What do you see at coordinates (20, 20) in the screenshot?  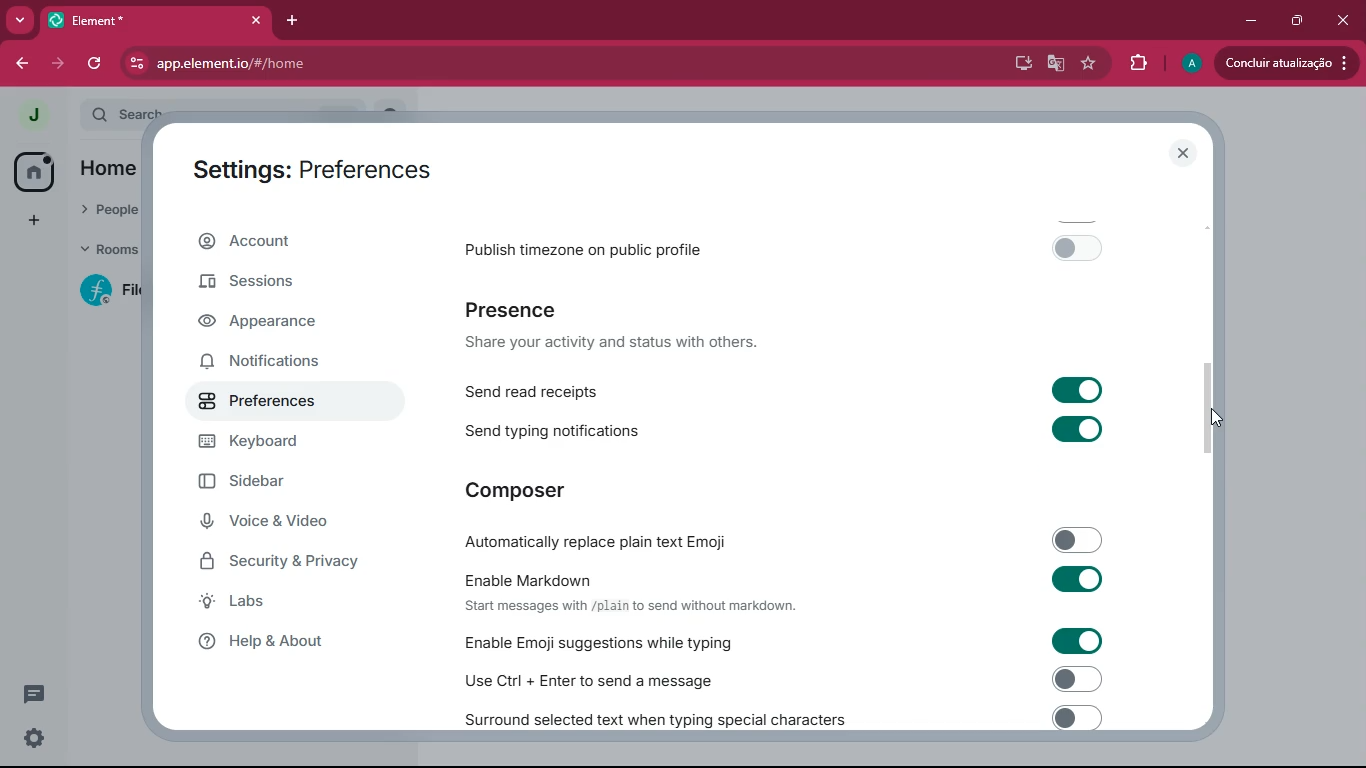 I see `more` at bounding box center [20, 20].